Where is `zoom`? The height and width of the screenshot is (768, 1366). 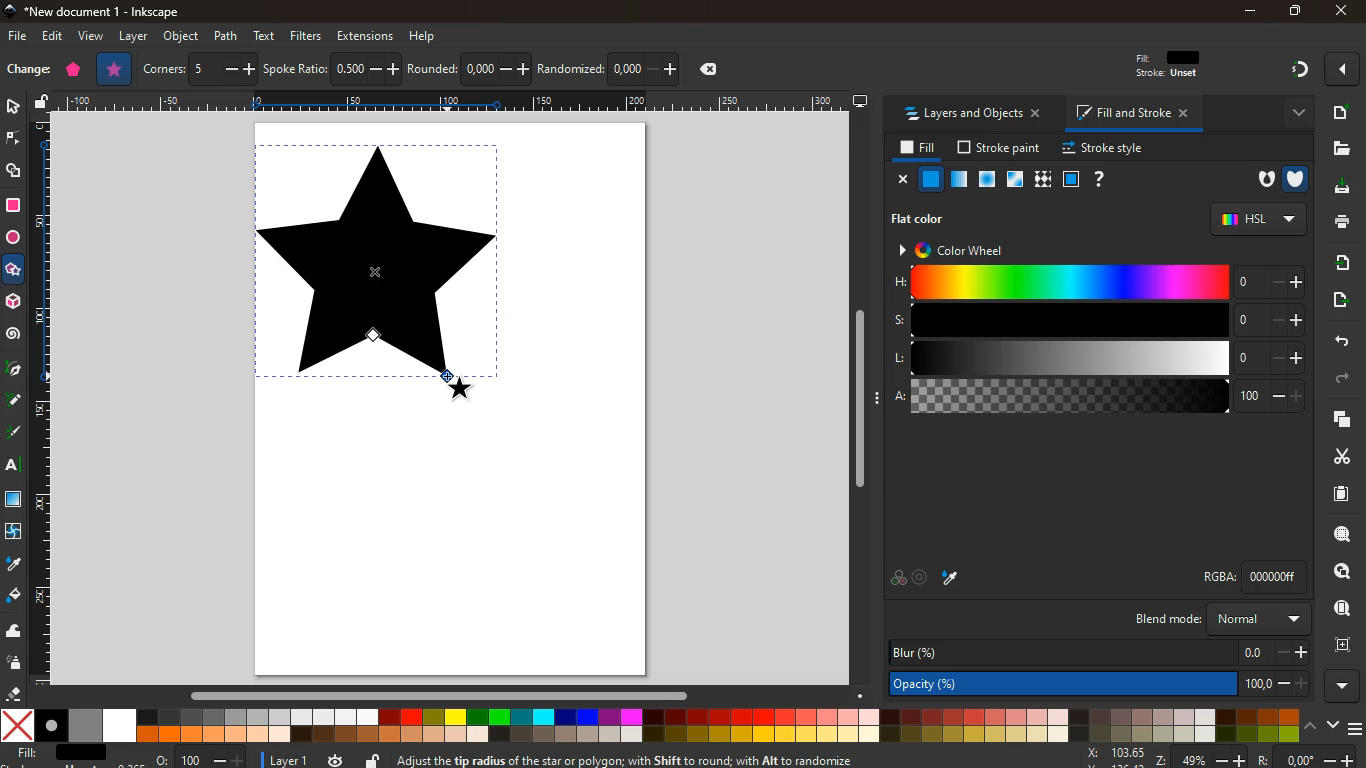 zoom is located at coordinates (1214, 758).